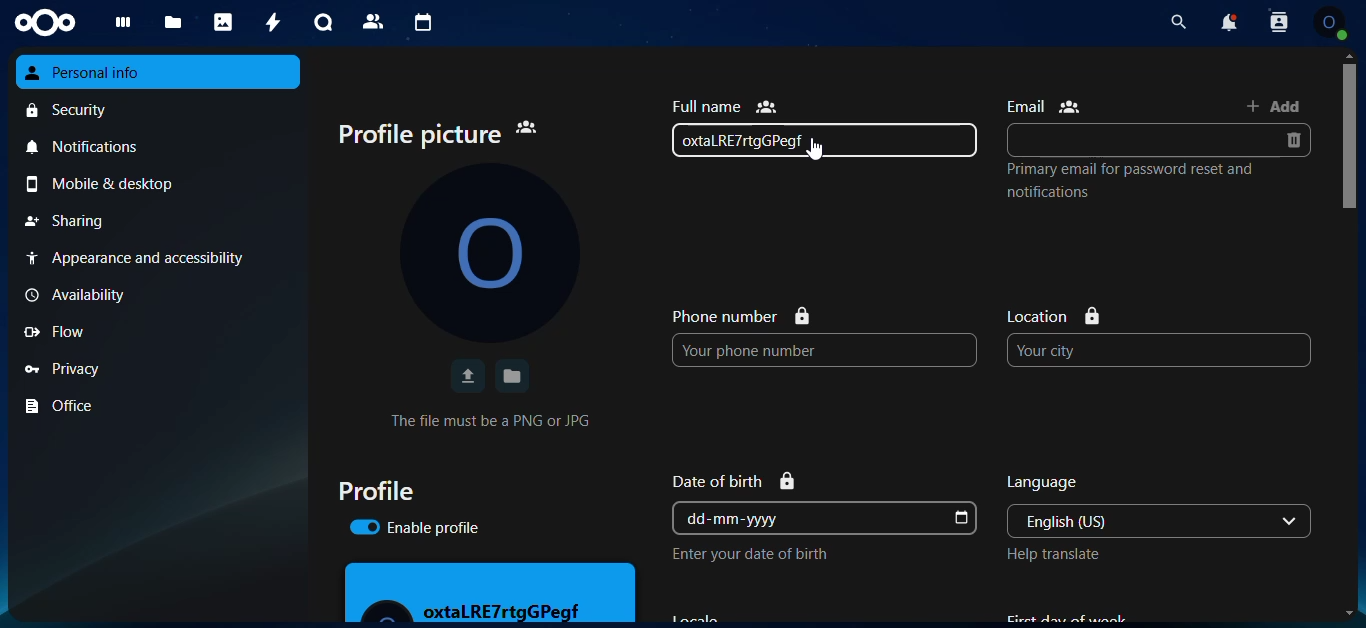 Image resolution: width=1366 pixels, height=628 pixels. I want to click on profile, so click(375, 490).